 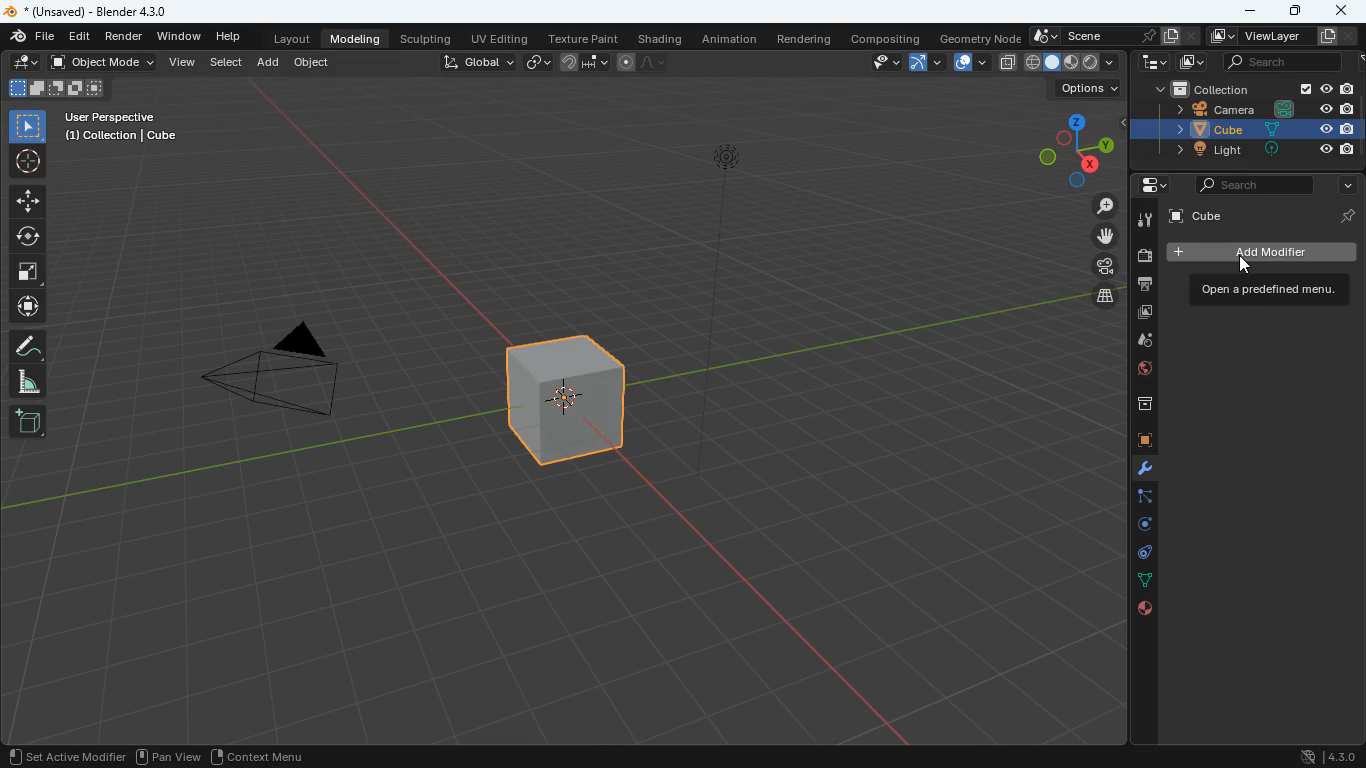 What do you see at coordinates (1252, 89) in the screenshot?
I see `collection` at bounding box center [1252, 89].